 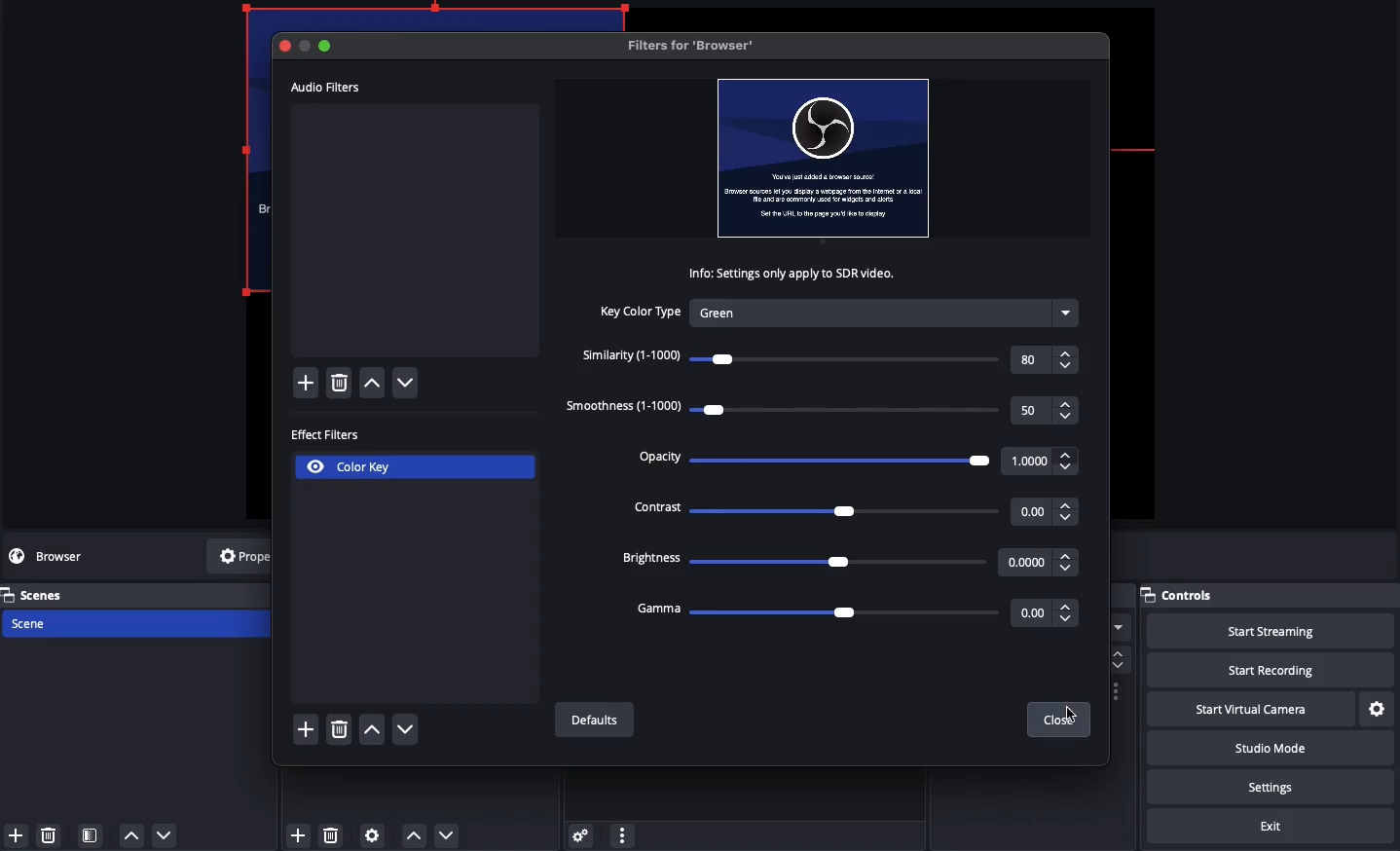 I want to click on Defaults, so click(x=600, y=721).